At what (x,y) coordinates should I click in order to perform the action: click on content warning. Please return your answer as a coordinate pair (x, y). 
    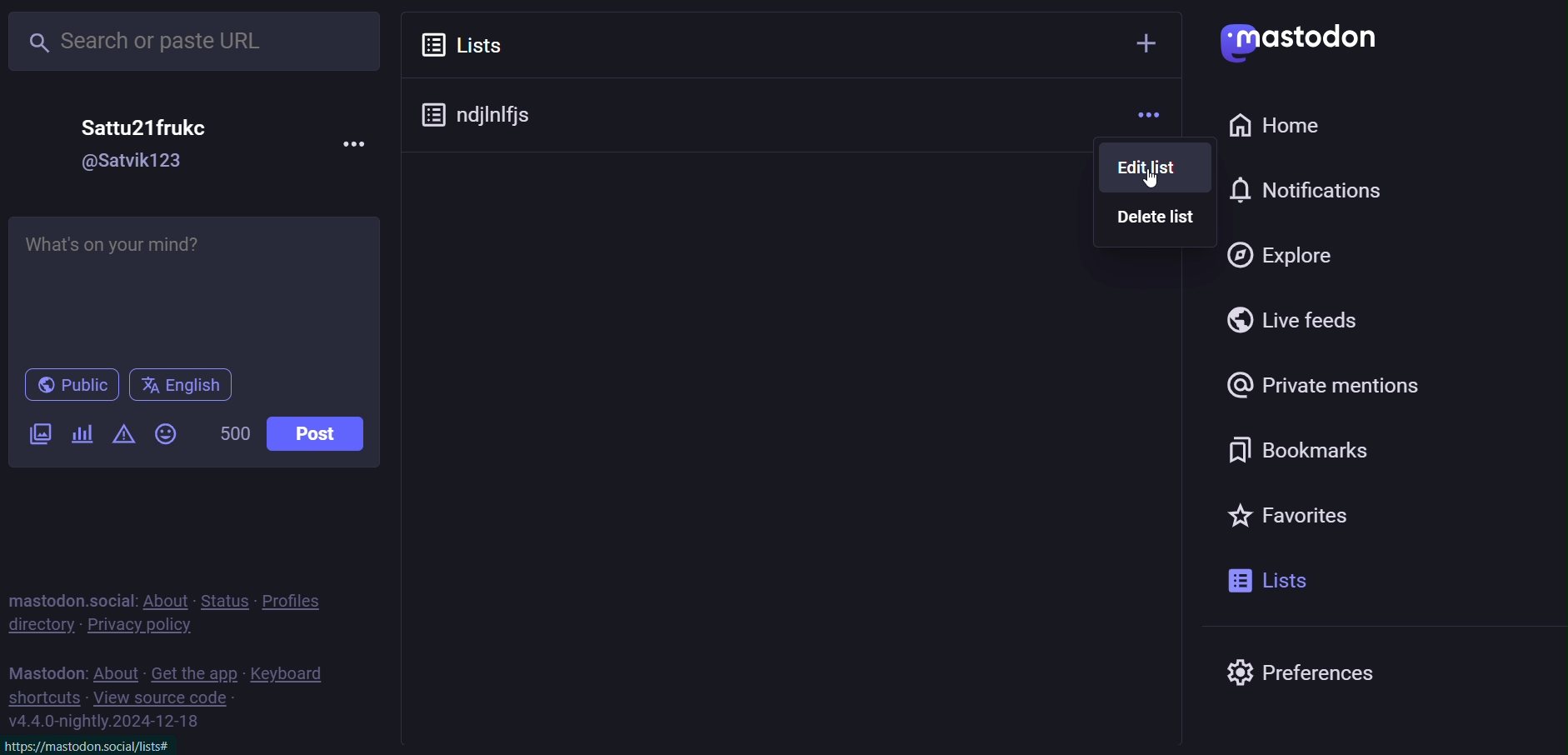
    Looking at the image, I should click on (124, 437).